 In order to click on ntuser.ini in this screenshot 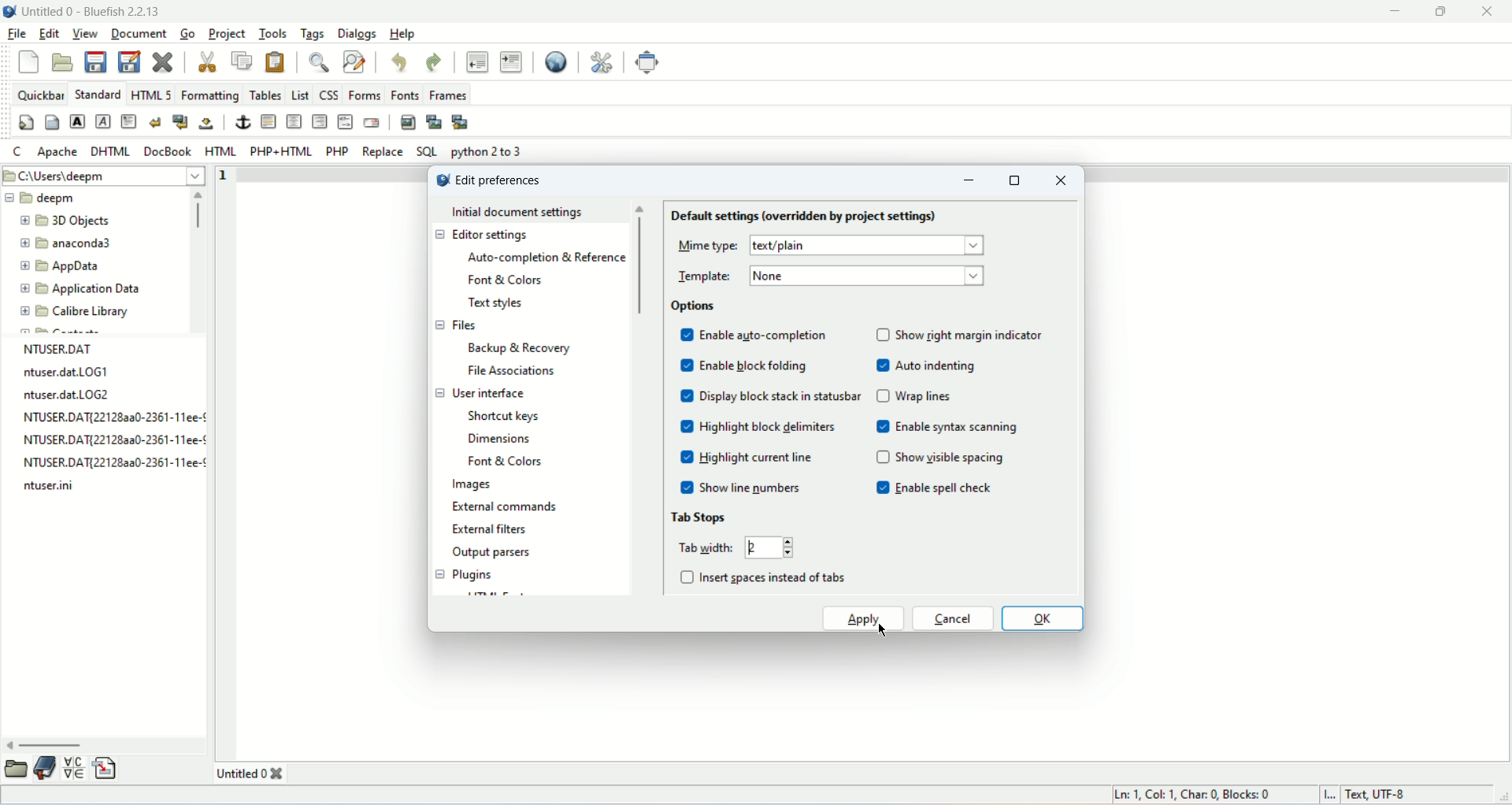, I will do `click(56, 488)`.